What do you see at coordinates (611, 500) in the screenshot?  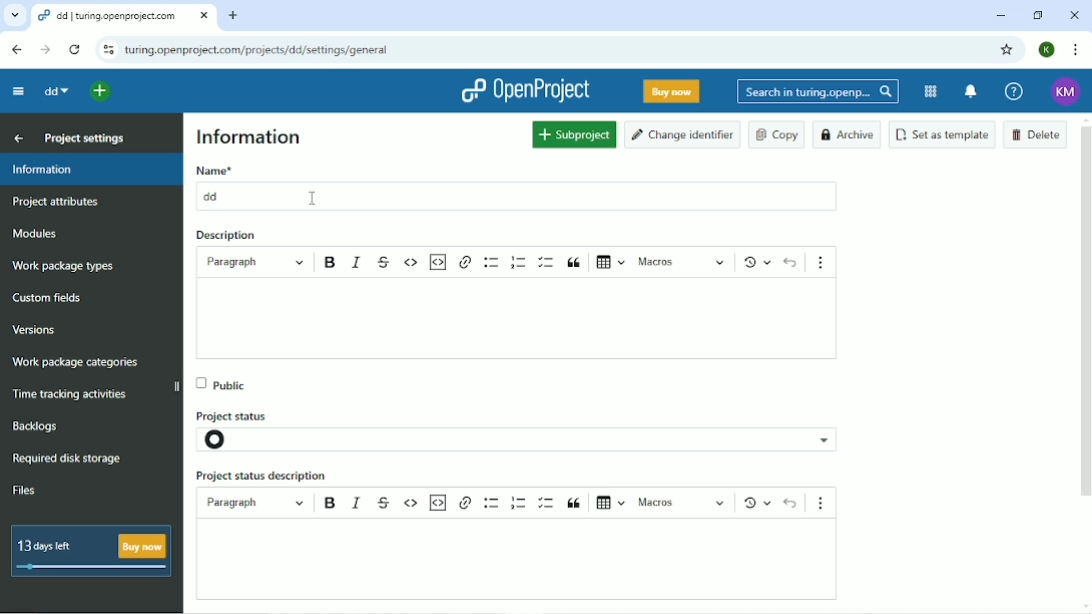 I see `insert table` at bounding box center [611, 500].